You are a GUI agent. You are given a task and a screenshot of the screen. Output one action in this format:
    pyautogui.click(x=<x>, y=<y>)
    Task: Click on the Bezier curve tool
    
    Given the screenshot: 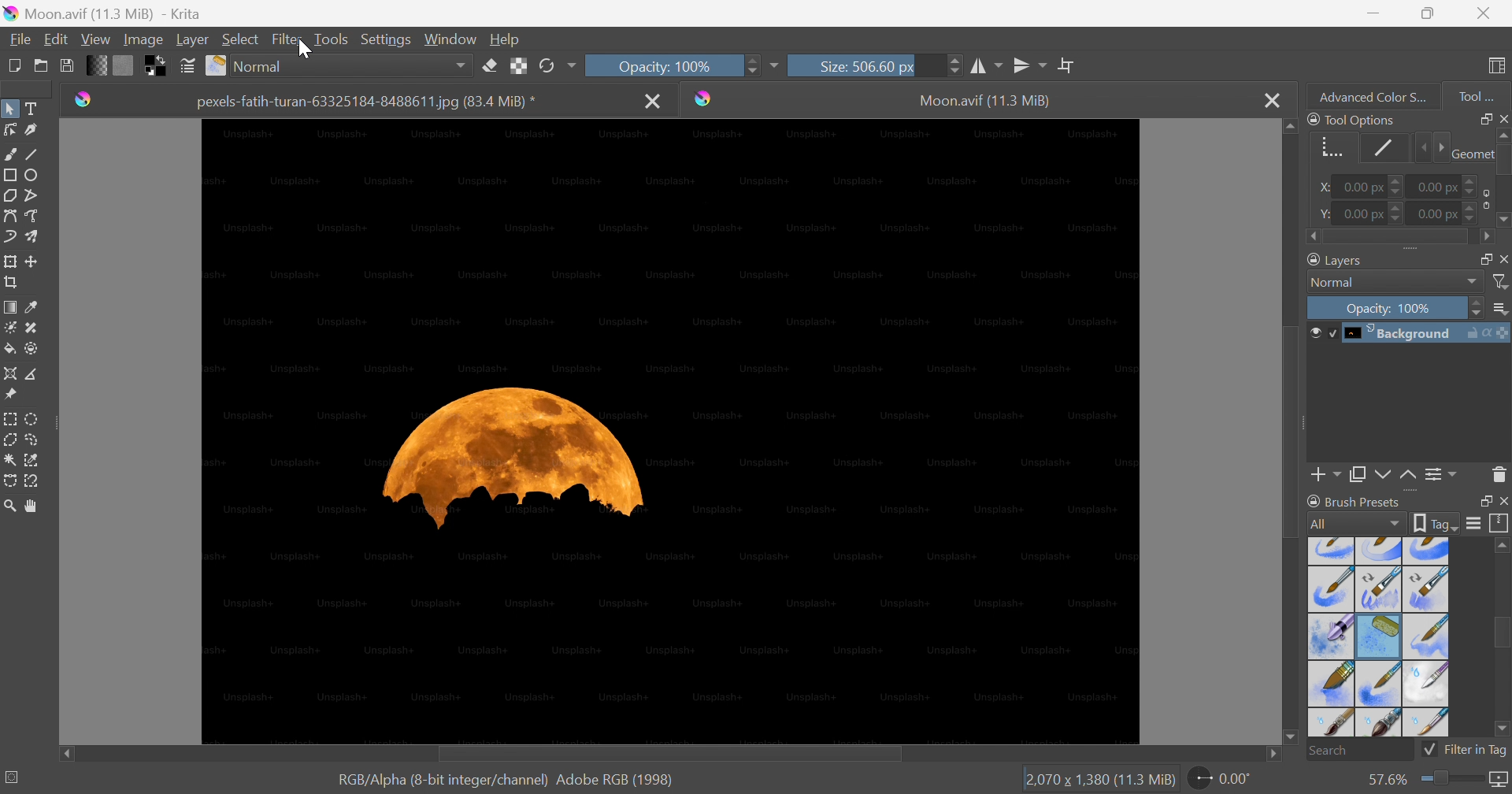 What is the action you would take?
    pyautogui.click(x=9, y=216)
    